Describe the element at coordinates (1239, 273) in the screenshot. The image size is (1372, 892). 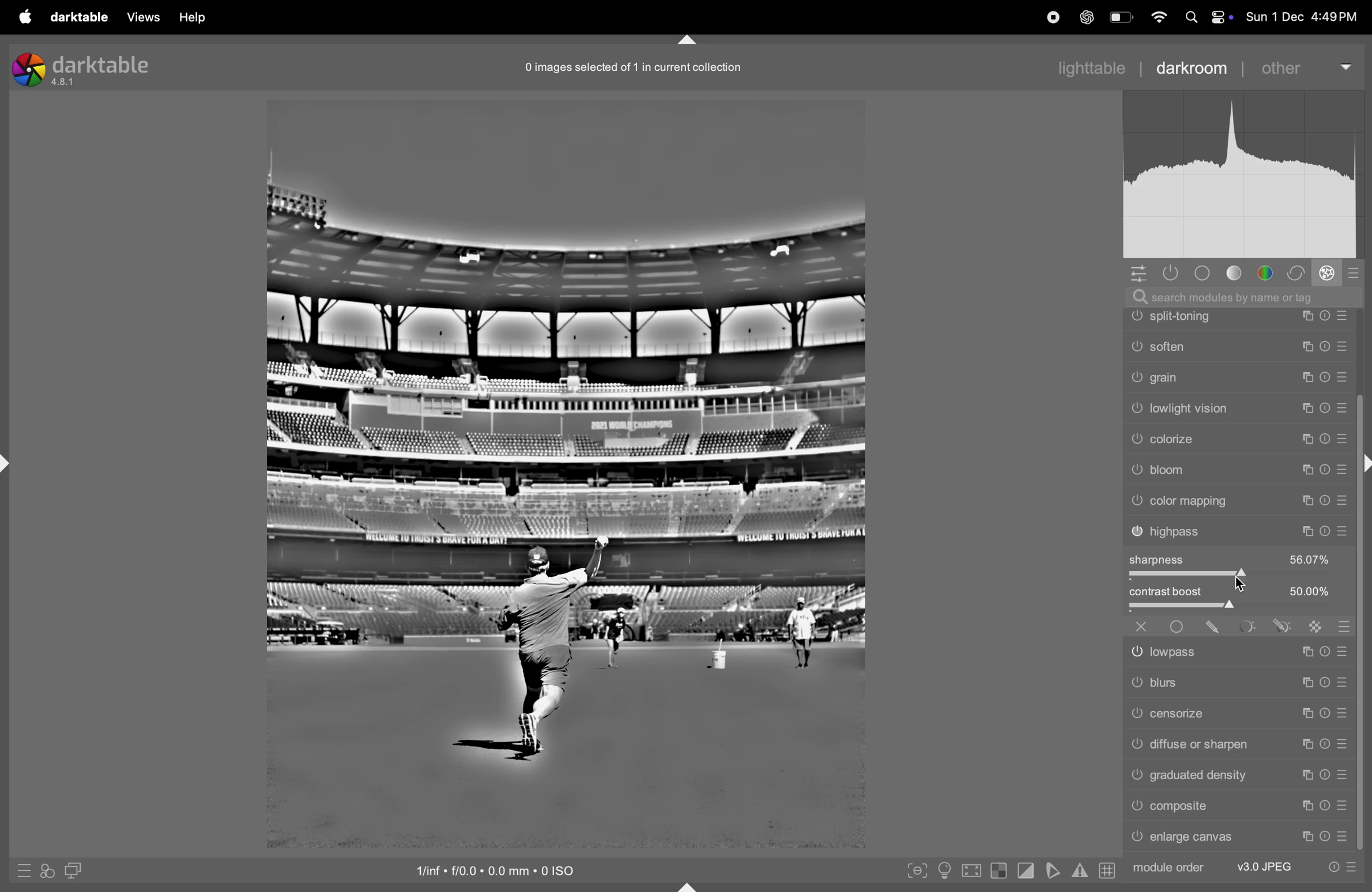
I see `tone` at that location.